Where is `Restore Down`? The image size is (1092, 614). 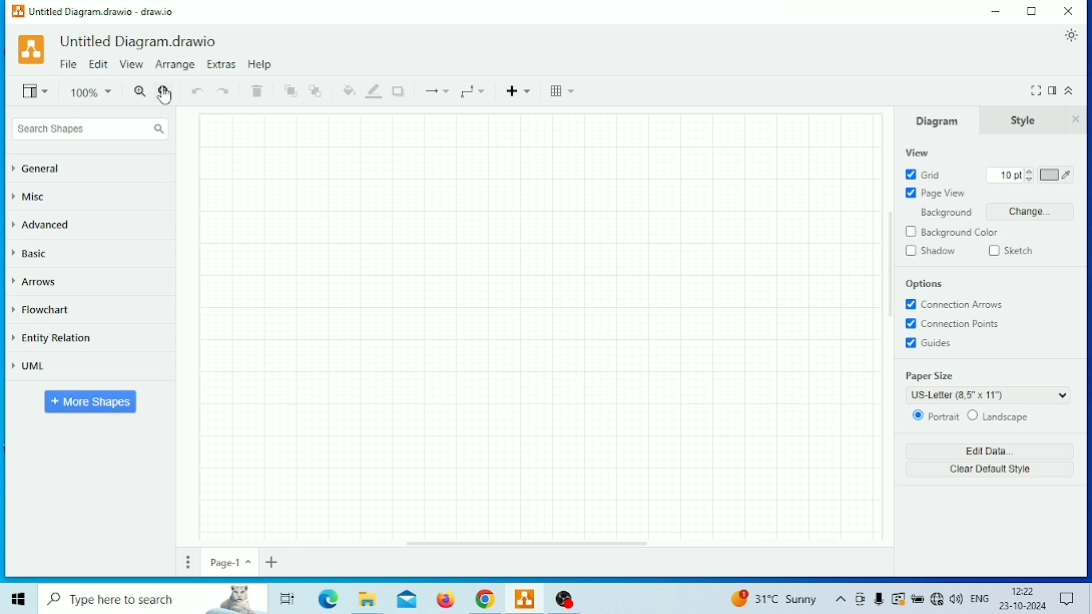
Restore Down is located at coordinates (1033, 11).